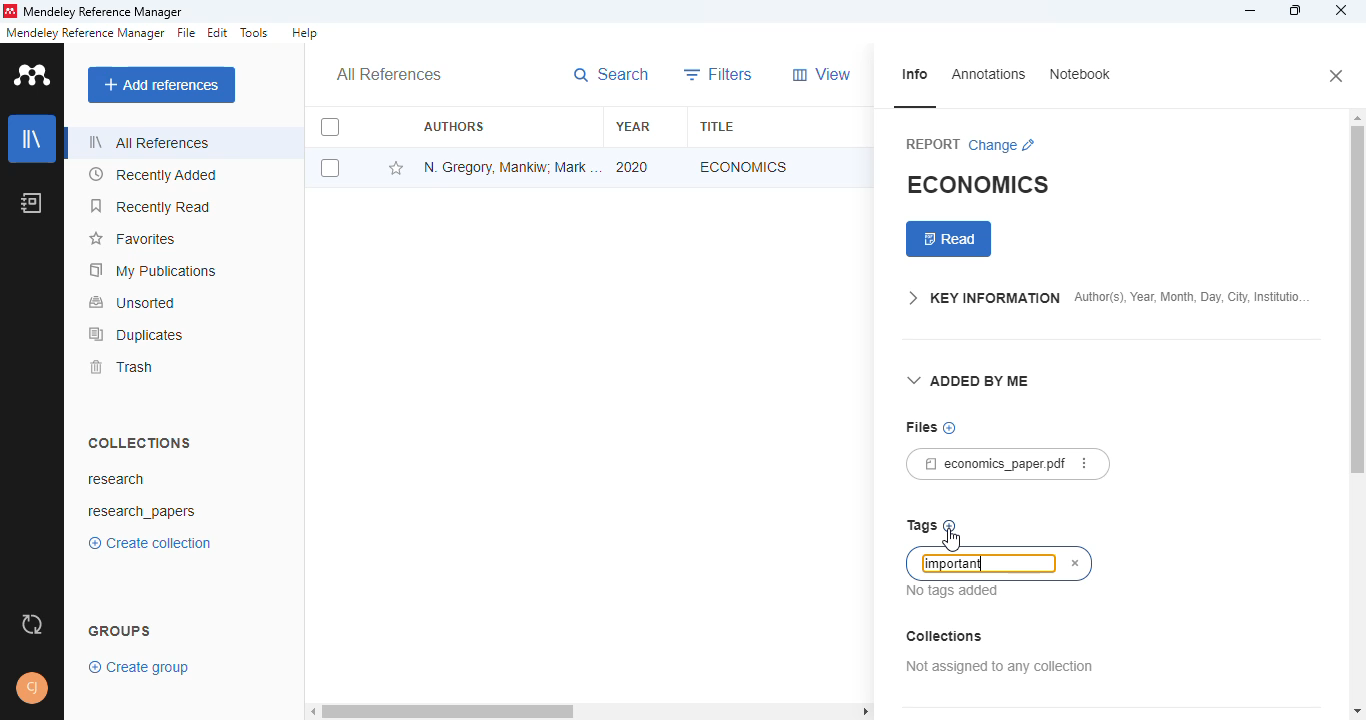 This screenshot has width=1366, height=720. I want to click on favorites, so click(131, 240).